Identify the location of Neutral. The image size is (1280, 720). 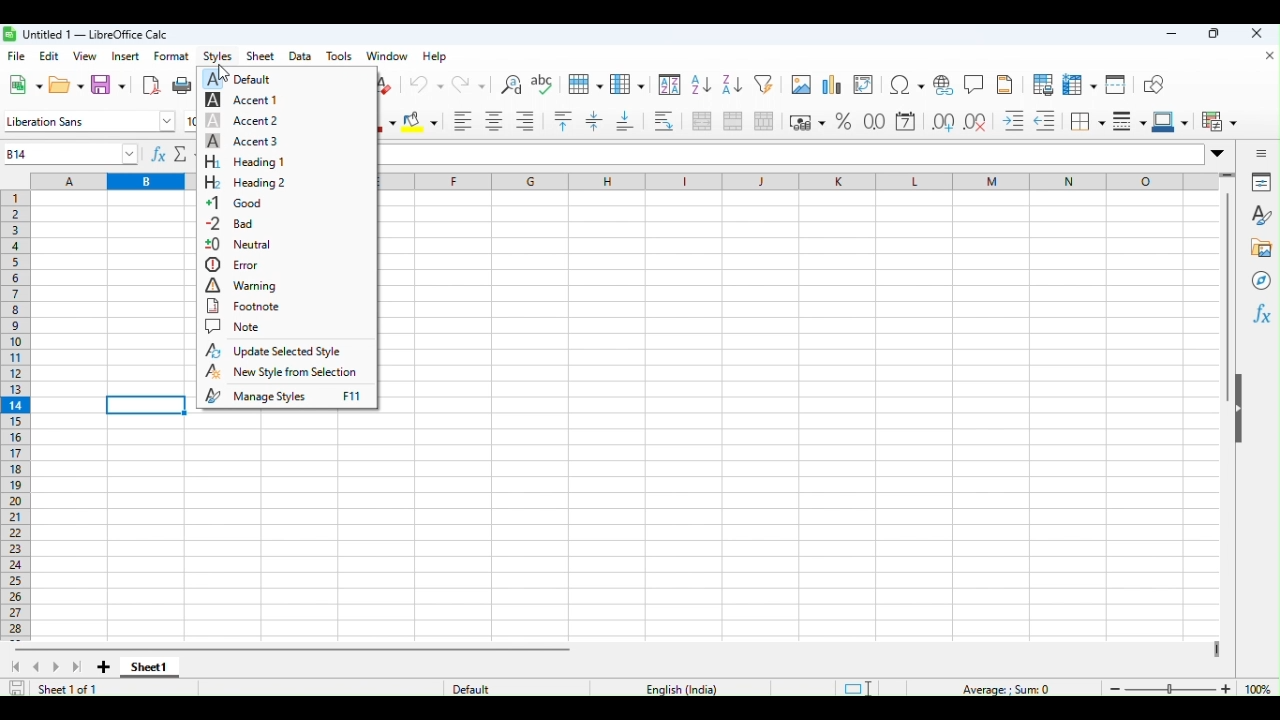
(243, 245).